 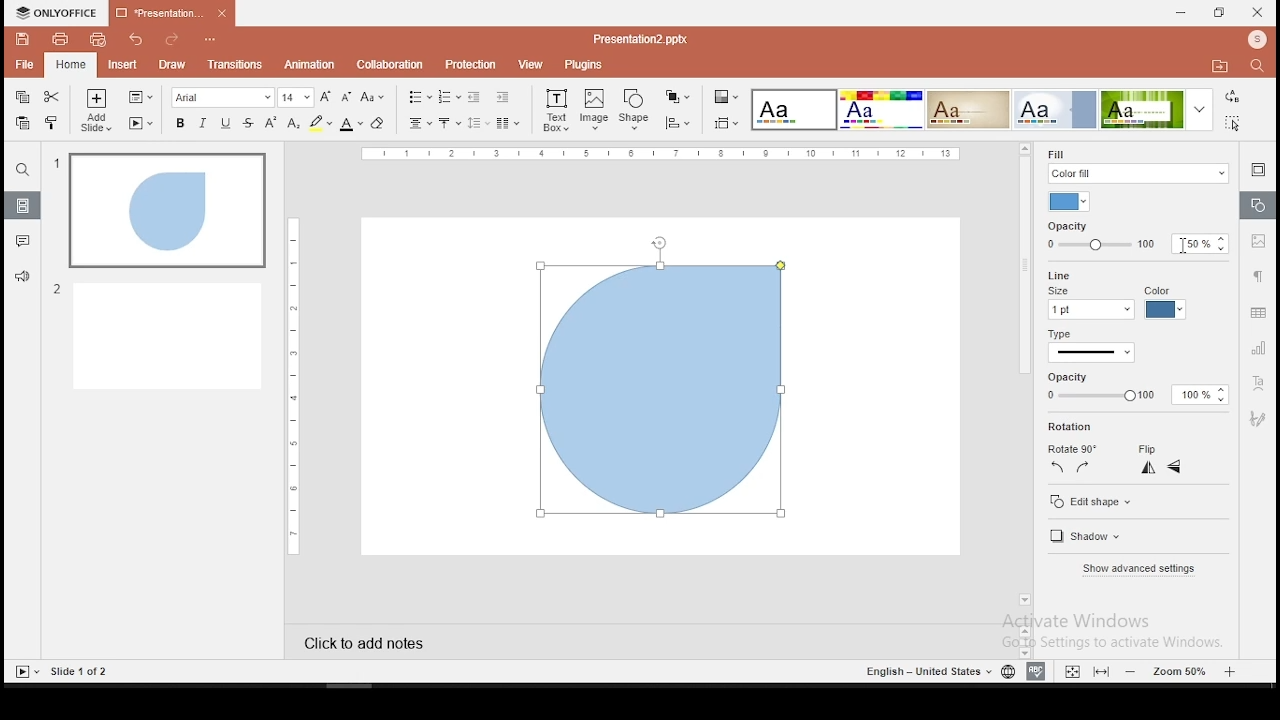 What do you see at coordinates (1257, 314) in the screenshot?
I see `table settings` at bounding box center [1257, 314].